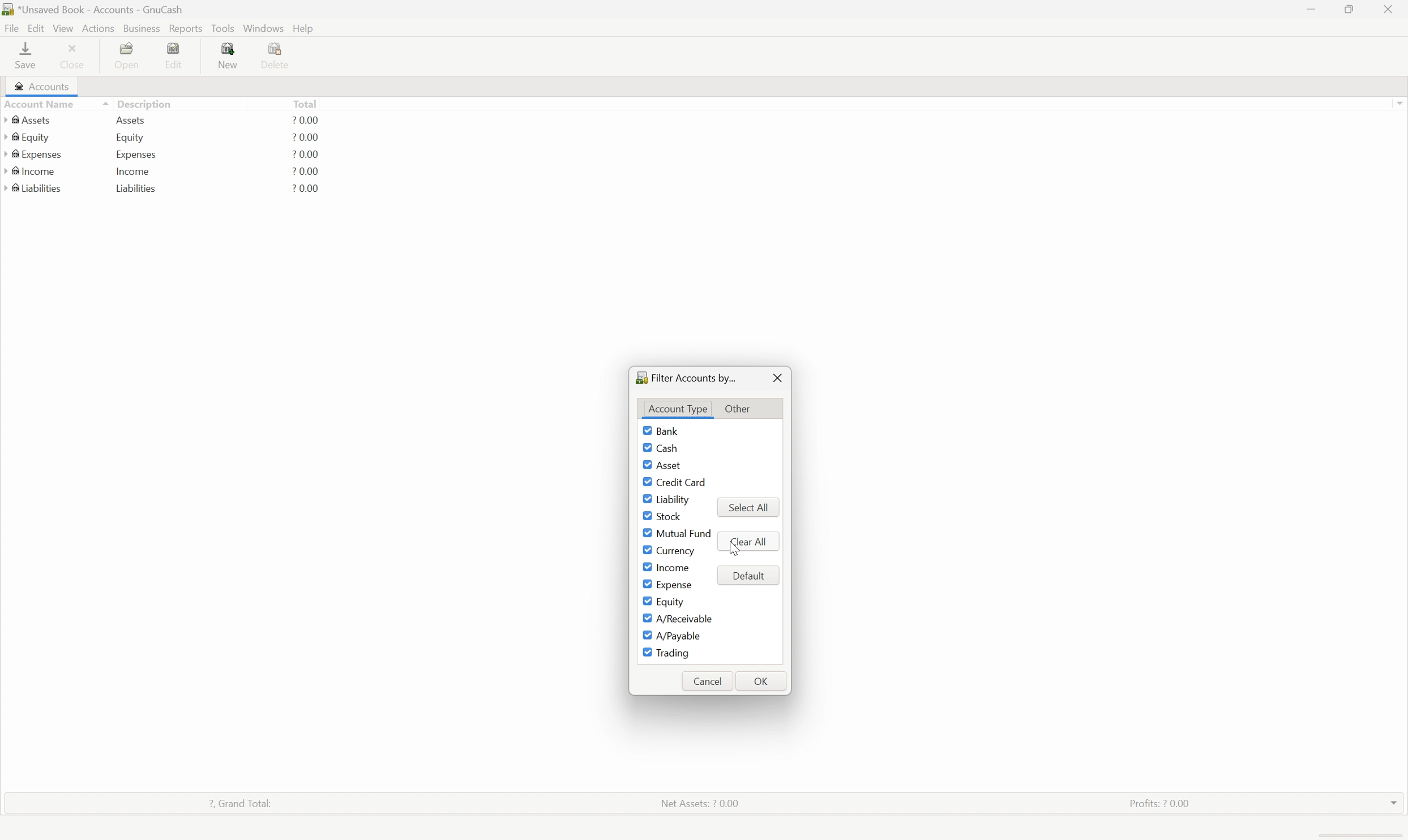  I want to click on Income, so click(673, 569).